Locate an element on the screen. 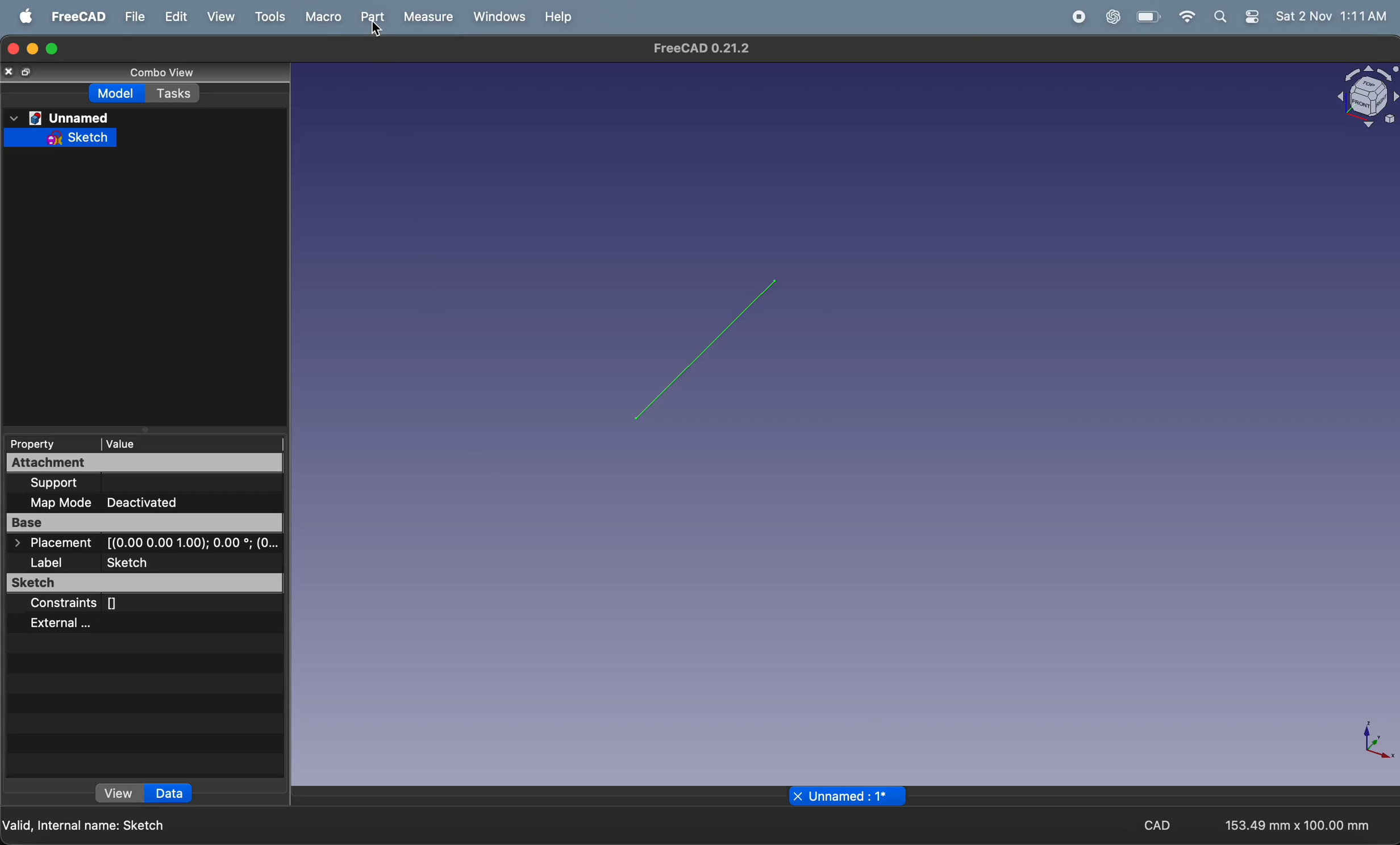 The width and height of the screenshot is (1400, 845). Sat 2 Nov 1:11AM is located at coordinates (1332, 16).